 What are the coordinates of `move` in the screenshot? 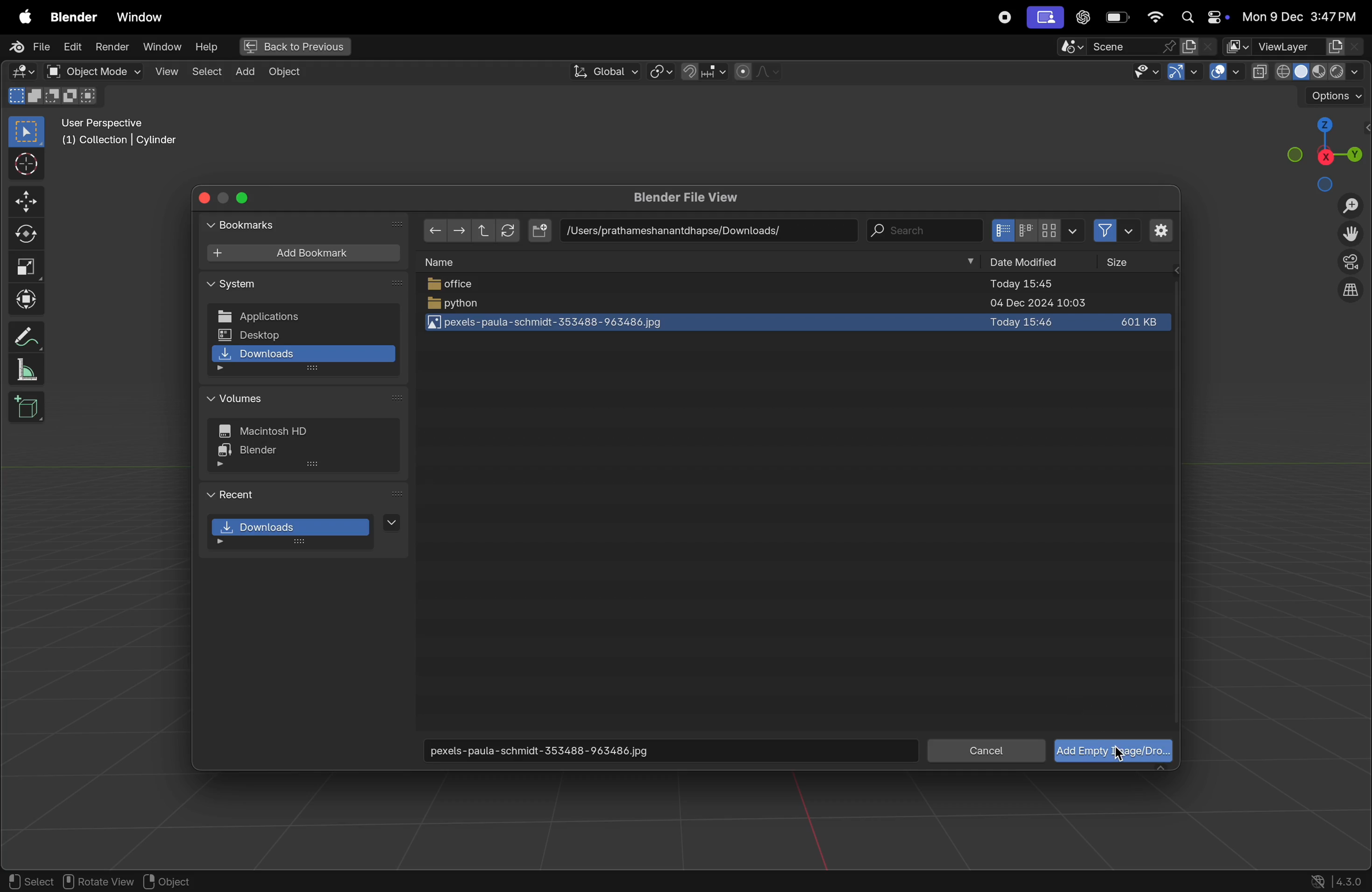 It's located at (24, 202).